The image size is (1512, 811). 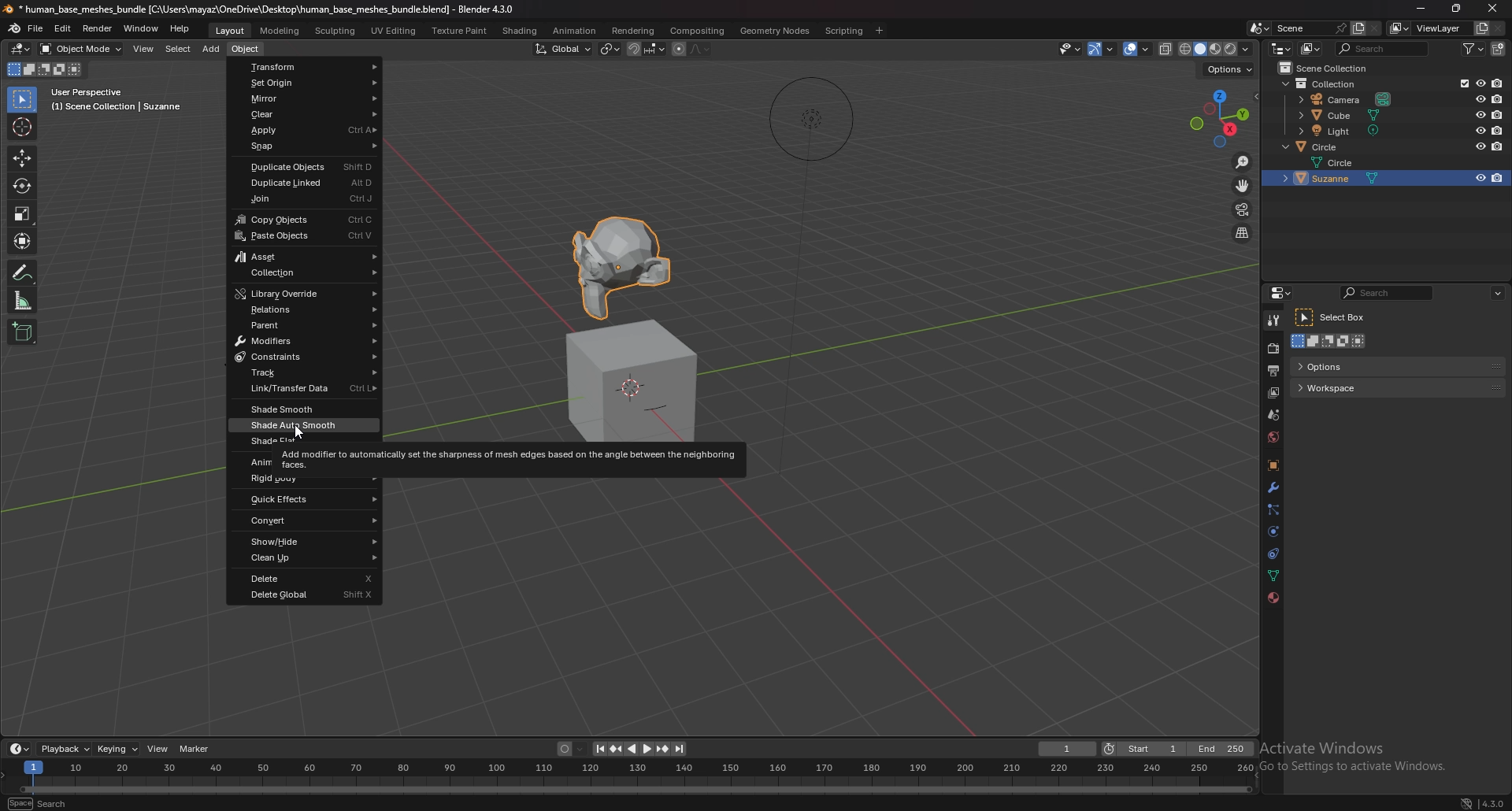 What do you see at coordinates (1273, 348) in the screenshot?
I see `render` at bounding box center [1273, 348].